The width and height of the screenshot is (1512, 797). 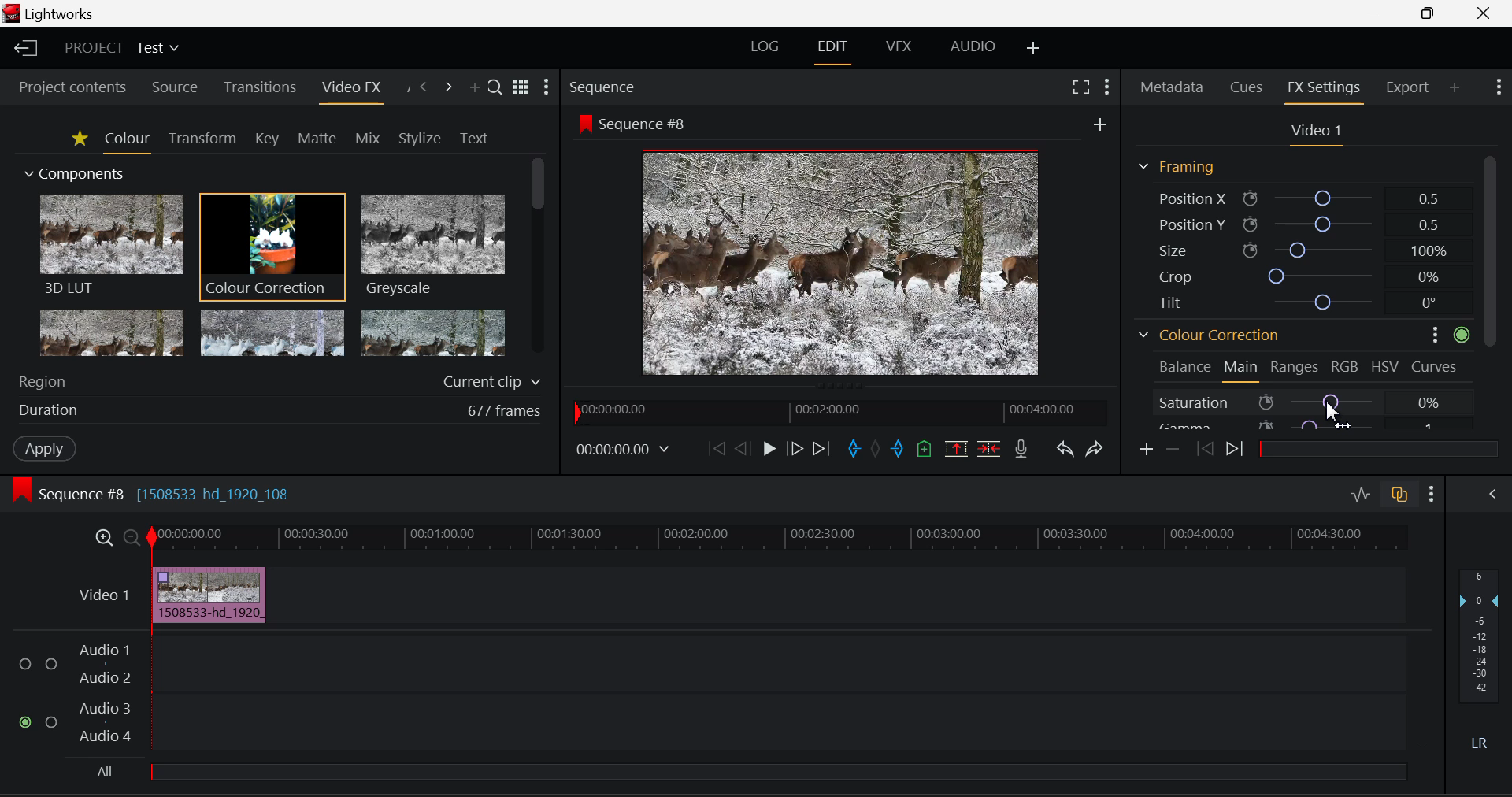 I want to click on EDIT Layout Open, so click(x=833, y=50).